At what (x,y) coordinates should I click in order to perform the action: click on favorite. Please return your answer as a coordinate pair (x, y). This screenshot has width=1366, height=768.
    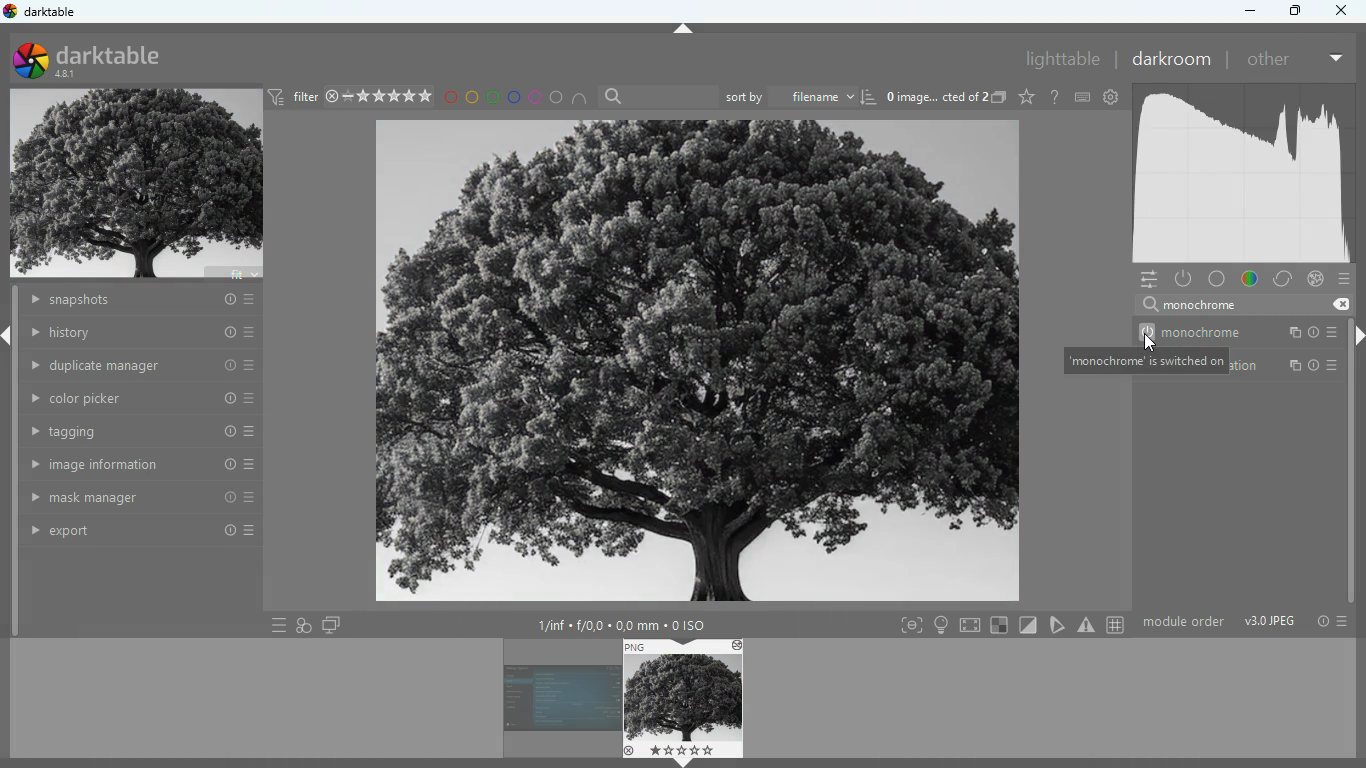
    Looking at the image, I should click on (1025, 99).